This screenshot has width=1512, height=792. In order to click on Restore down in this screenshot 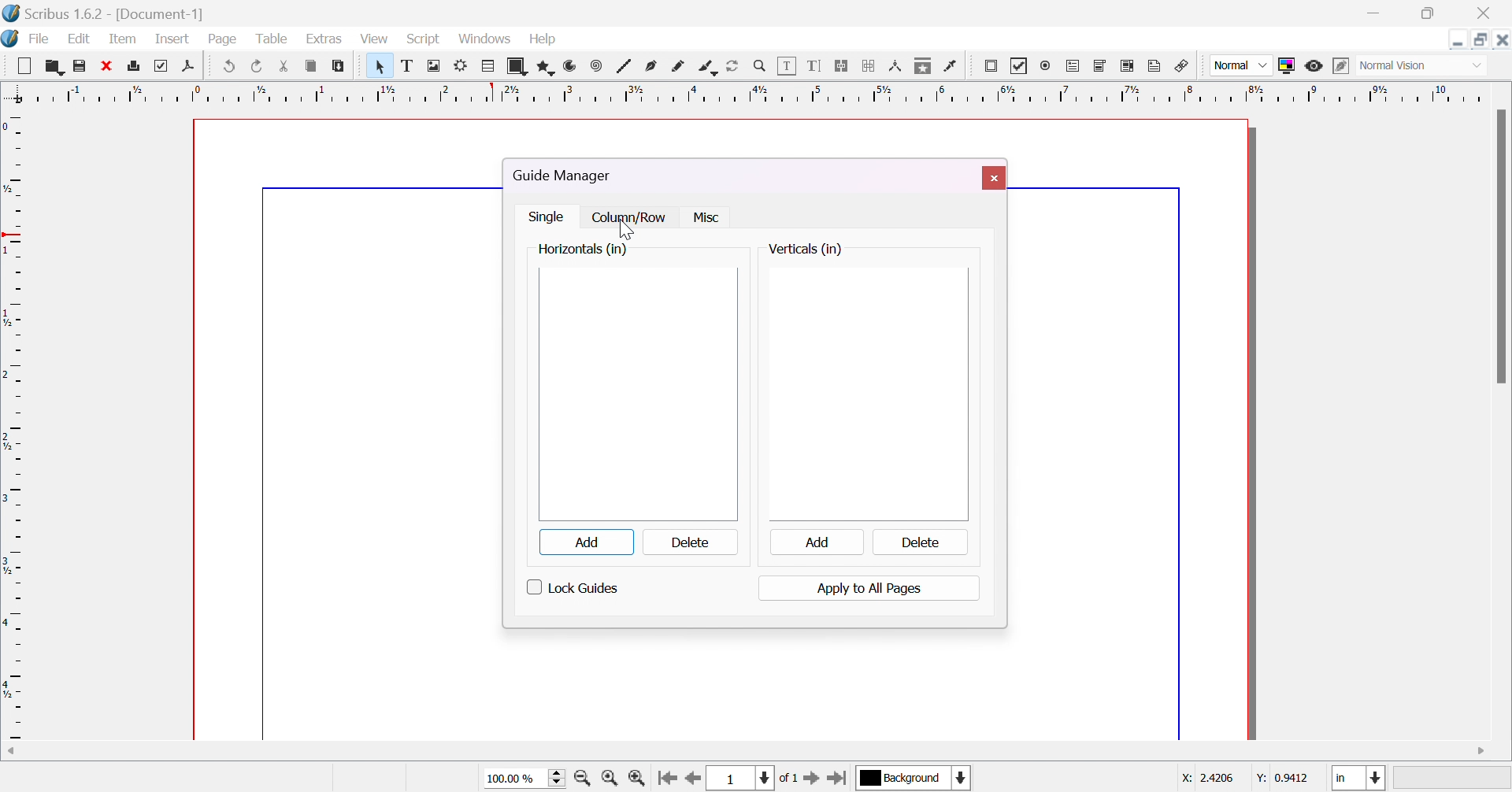, I will do `click(1482, 39)`.